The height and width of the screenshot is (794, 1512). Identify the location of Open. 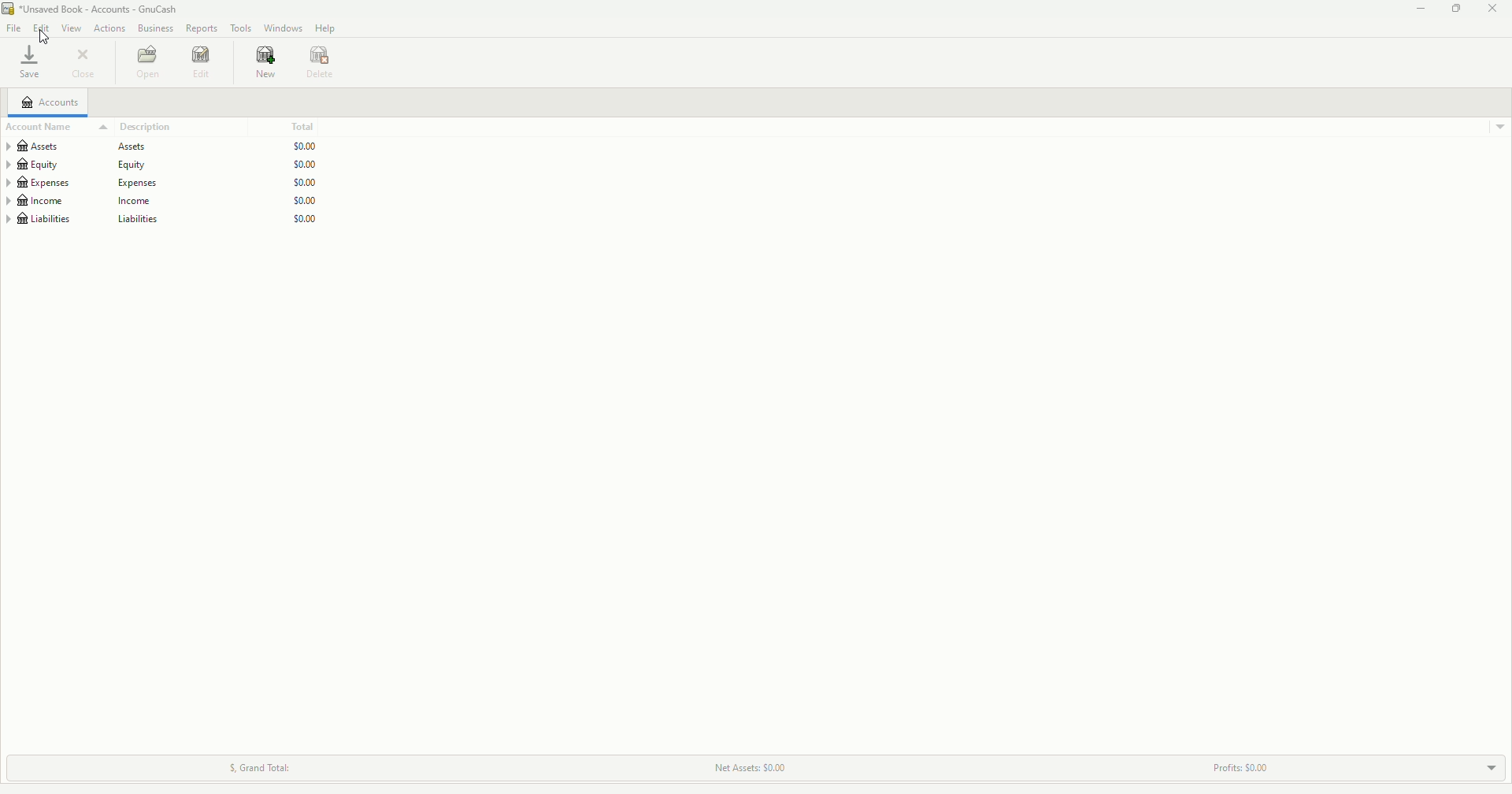
(149, 62).